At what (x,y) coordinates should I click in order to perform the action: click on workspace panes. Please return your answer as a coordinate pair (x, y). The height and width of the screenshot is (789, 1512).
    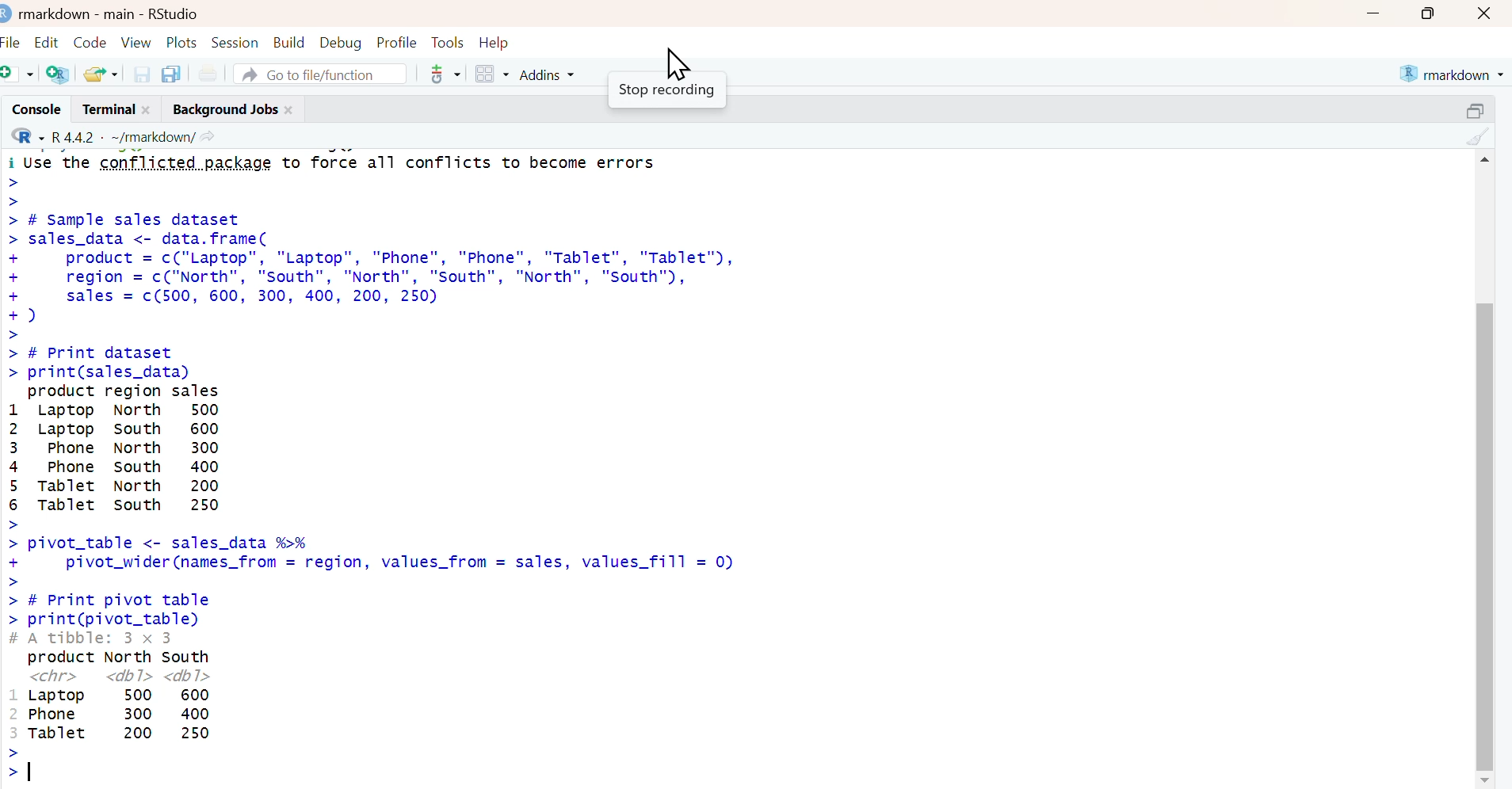
    Looking at the image, I should click on (492, 74).